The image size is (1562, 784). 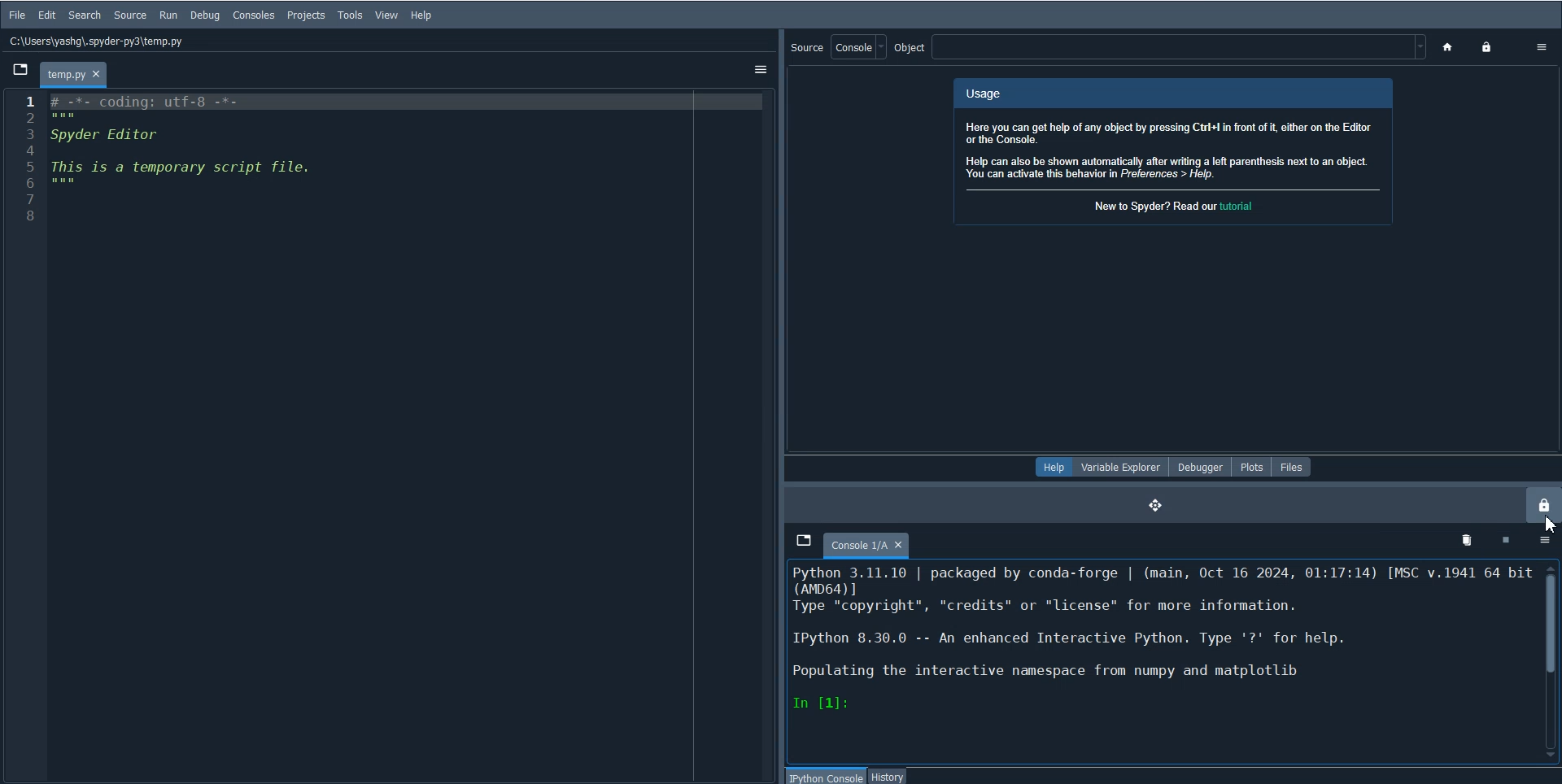 I want to click on Tools, so click(x=351, y=15).